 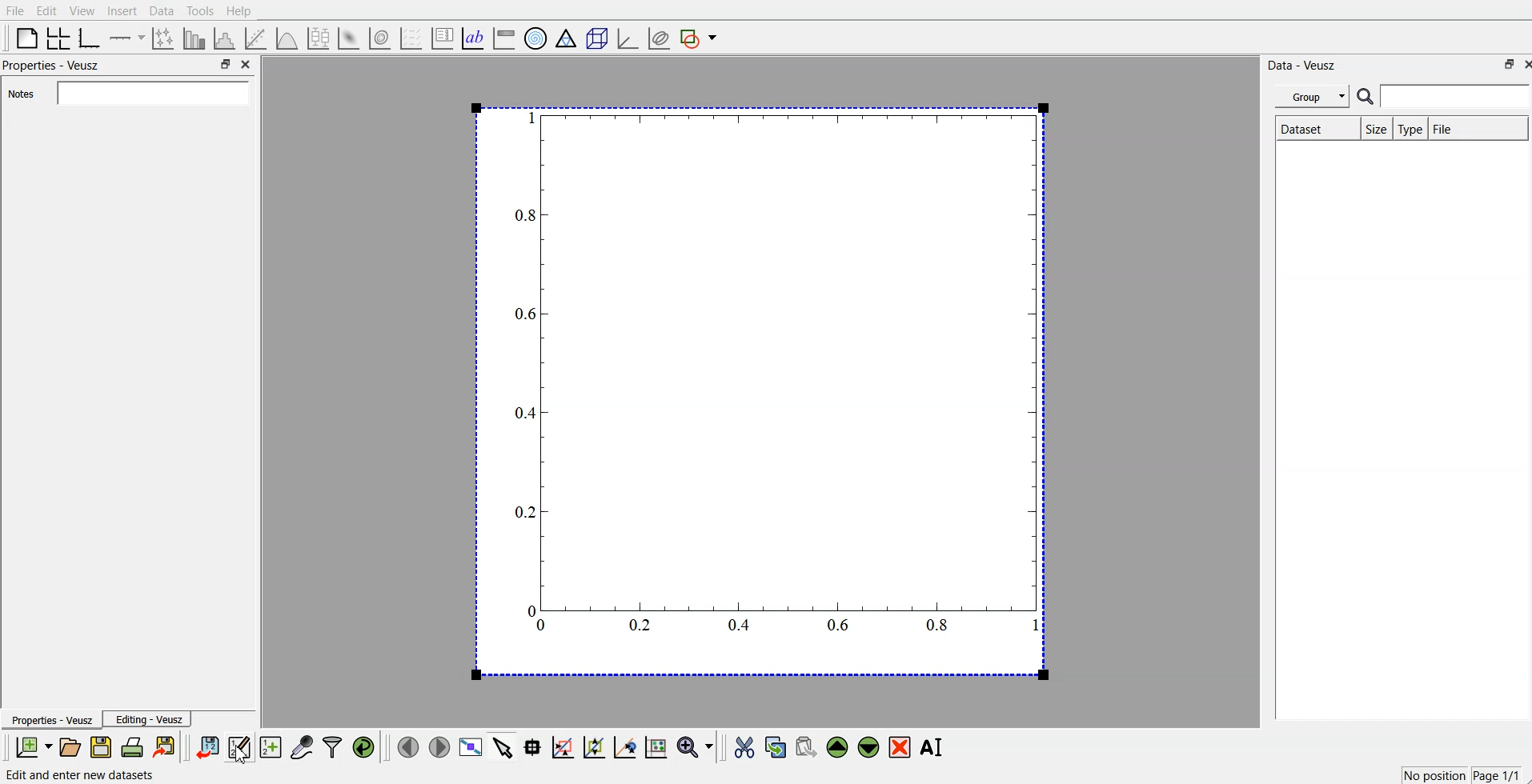 What do you see at coordinates (1303, 65) in the screenshot?
I see `Data - Veusz` at bounding box center [1303, 65].